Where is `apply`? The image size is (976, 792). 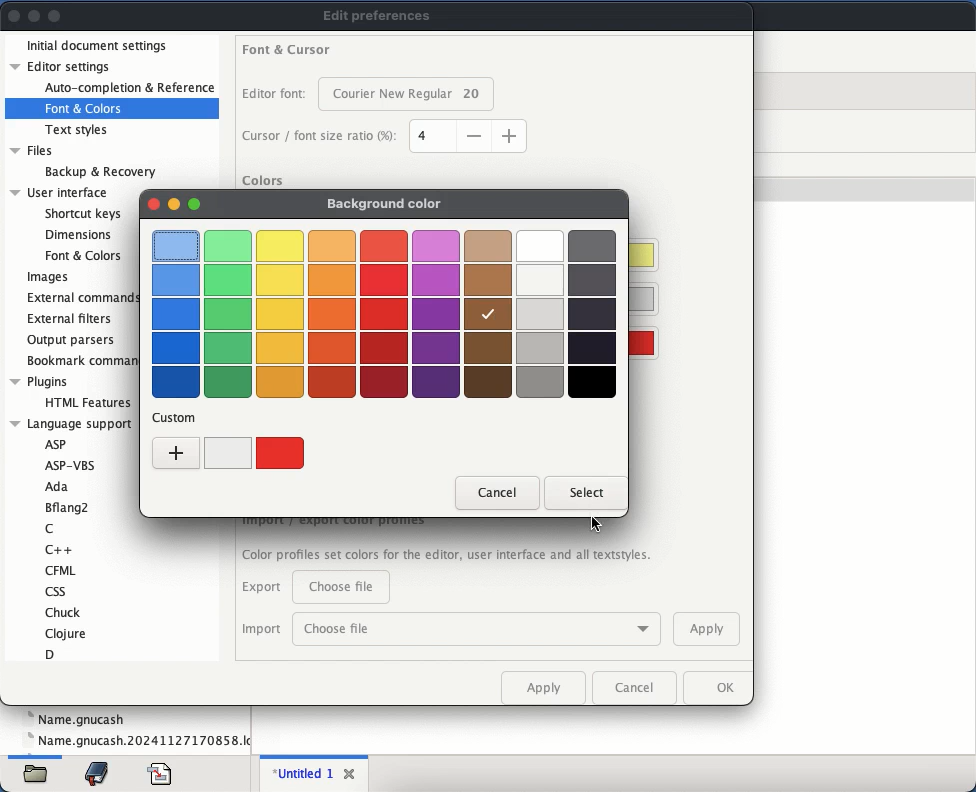
apply is located at coordinates (546, 686).